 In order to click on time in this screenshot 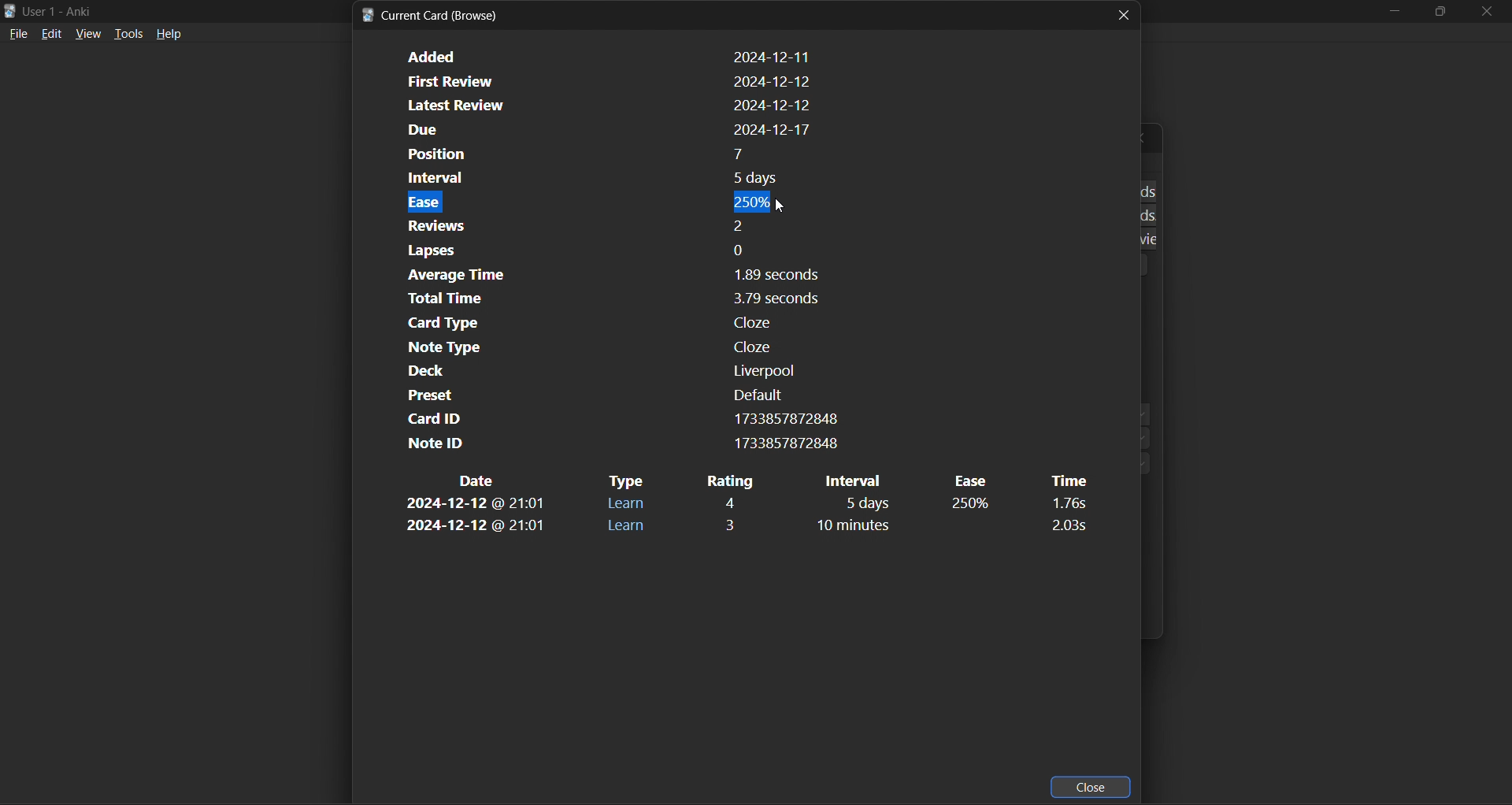, I will do `click(1066, 503)`.